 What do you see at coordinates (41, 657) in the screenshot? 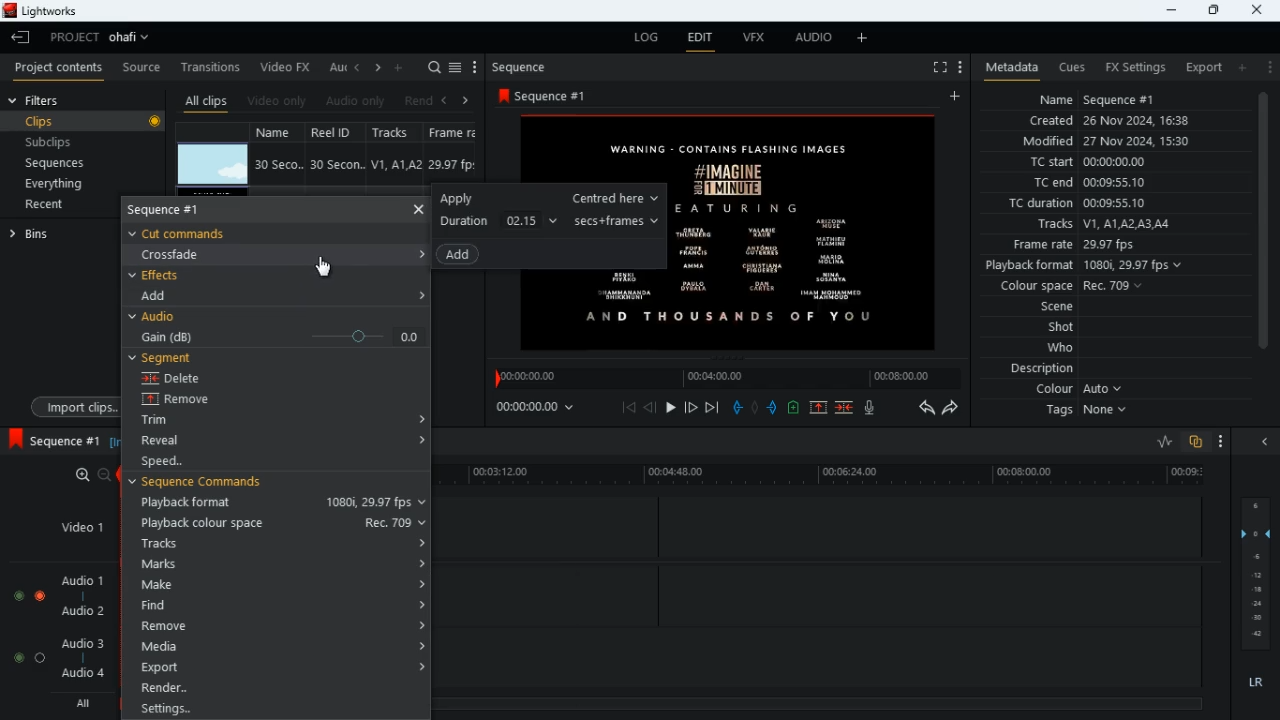
I see `toggle` at bounding box center [41, 657].